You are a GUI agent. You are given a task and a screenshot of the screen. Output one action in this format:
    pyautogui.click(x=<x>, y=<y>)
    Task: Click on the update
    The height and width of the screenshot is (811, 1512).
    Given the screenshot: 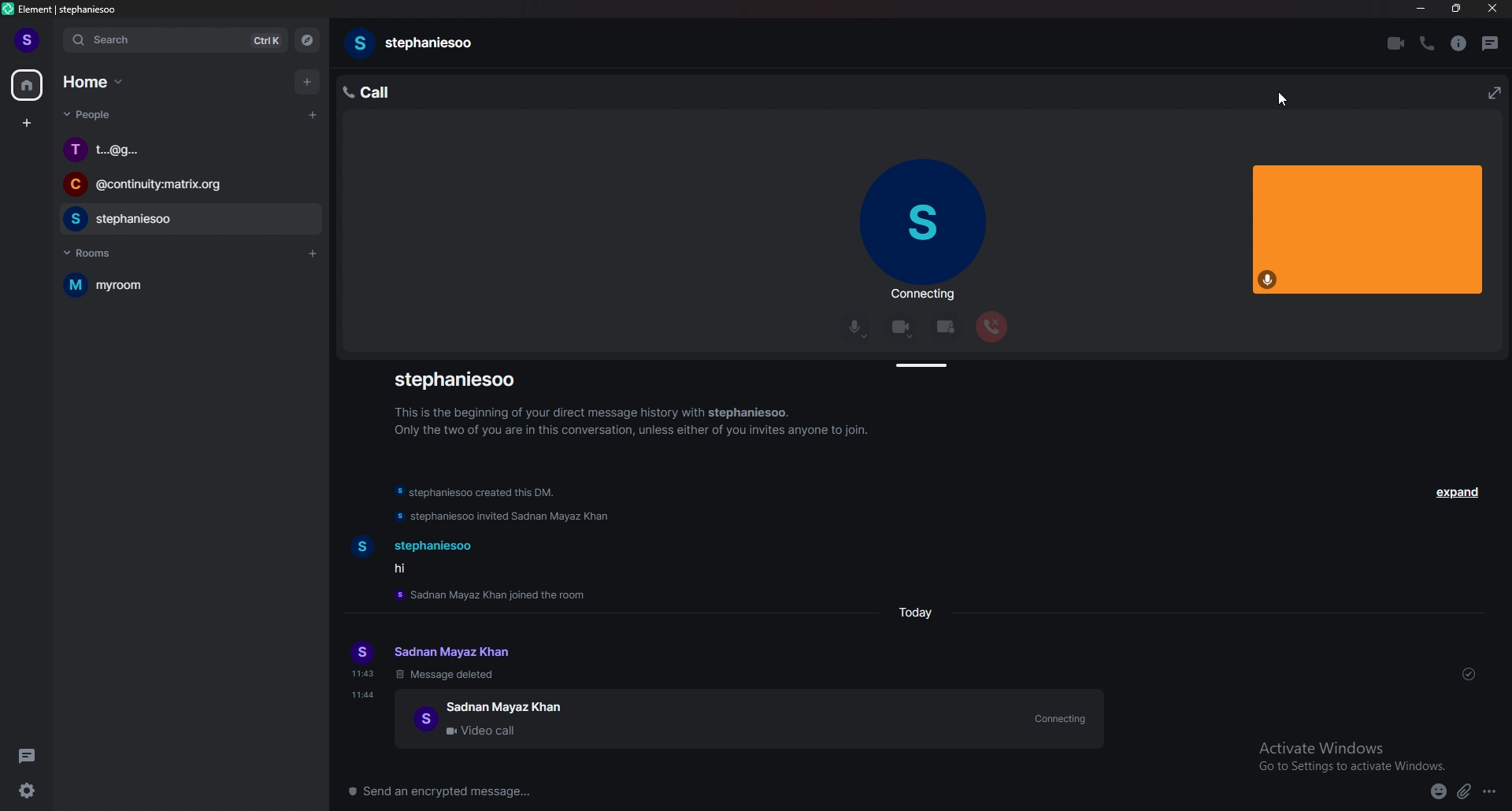 What is the action you would take?
    pyautogui.click(x=480, y=493)
    